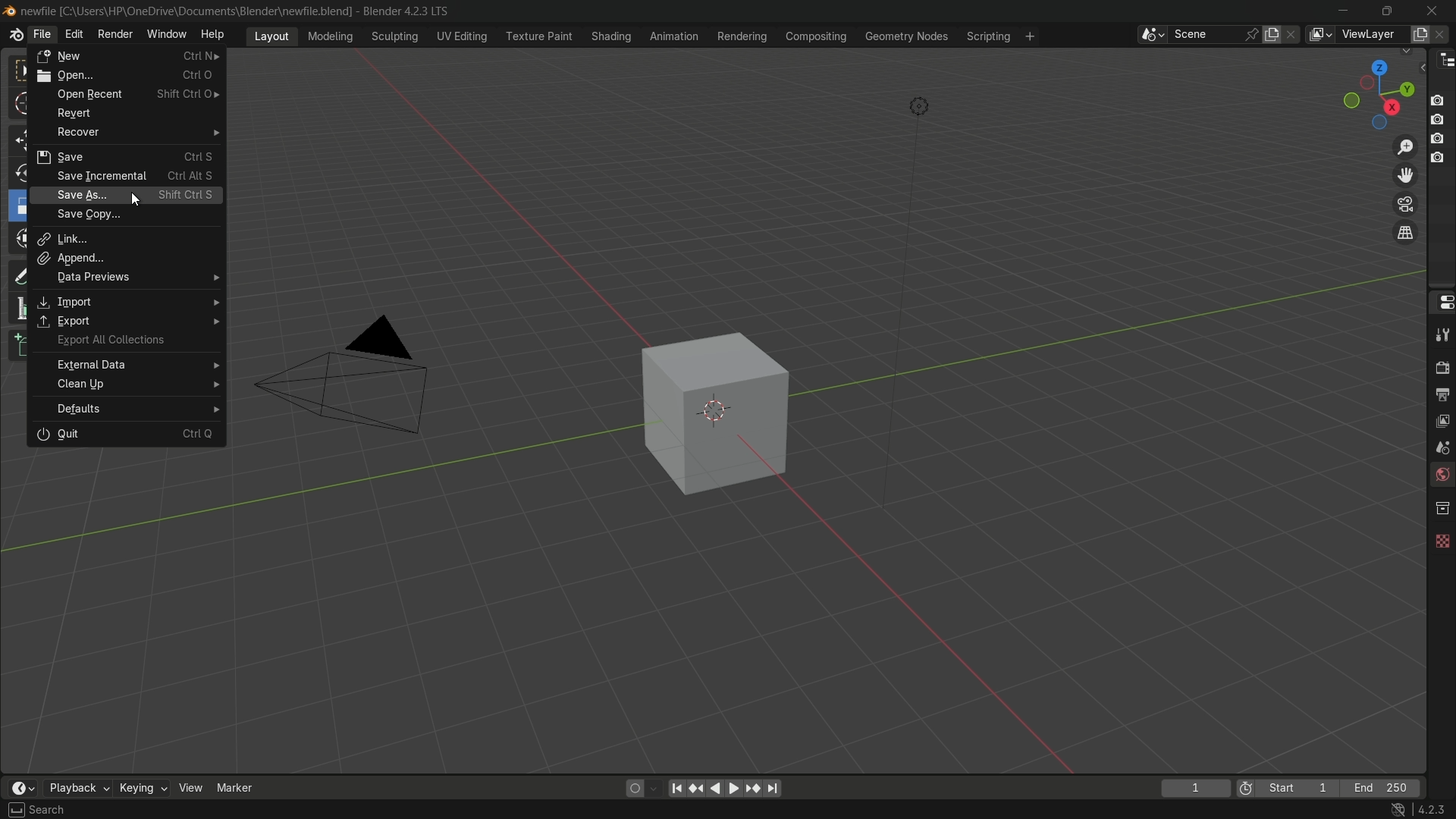  What do you see at coordinates (1404, 174) in the screenshot?
I see `move view layer` at bounding box center [1404, 174].